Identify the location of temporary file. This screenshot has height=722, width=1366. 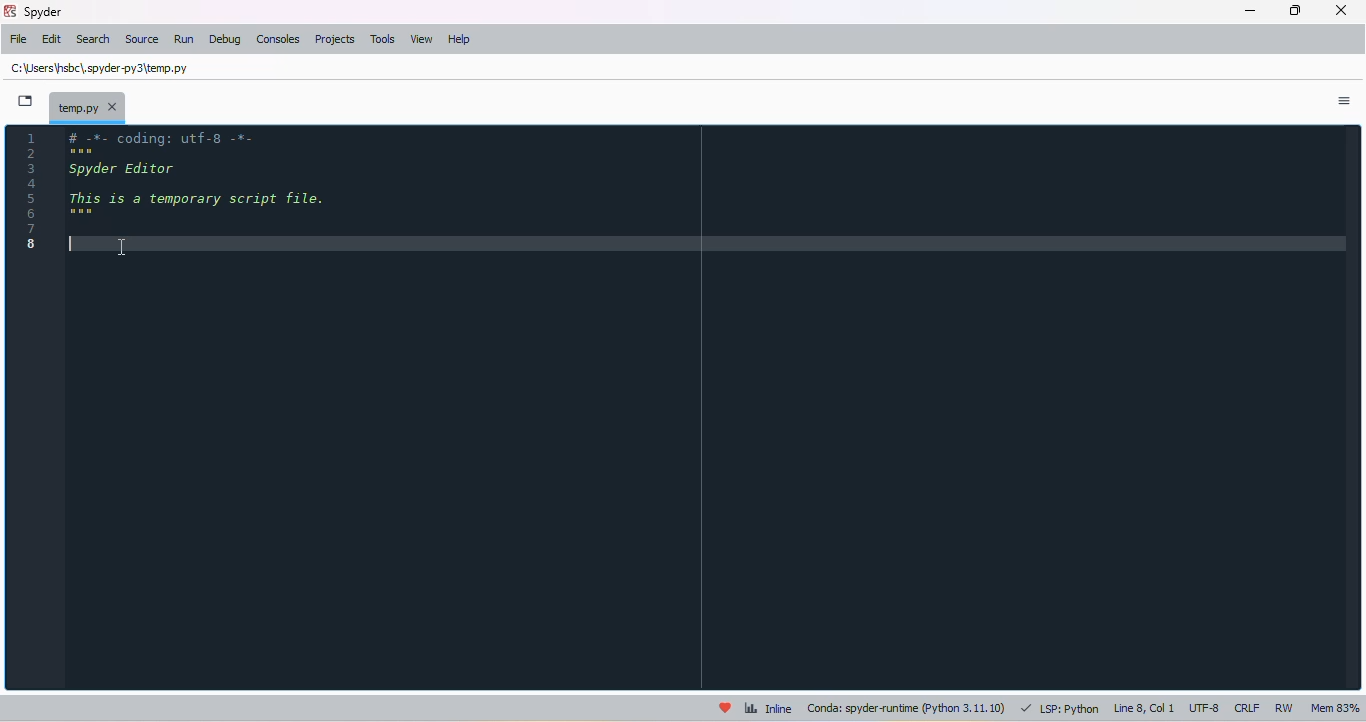
(101, 67).